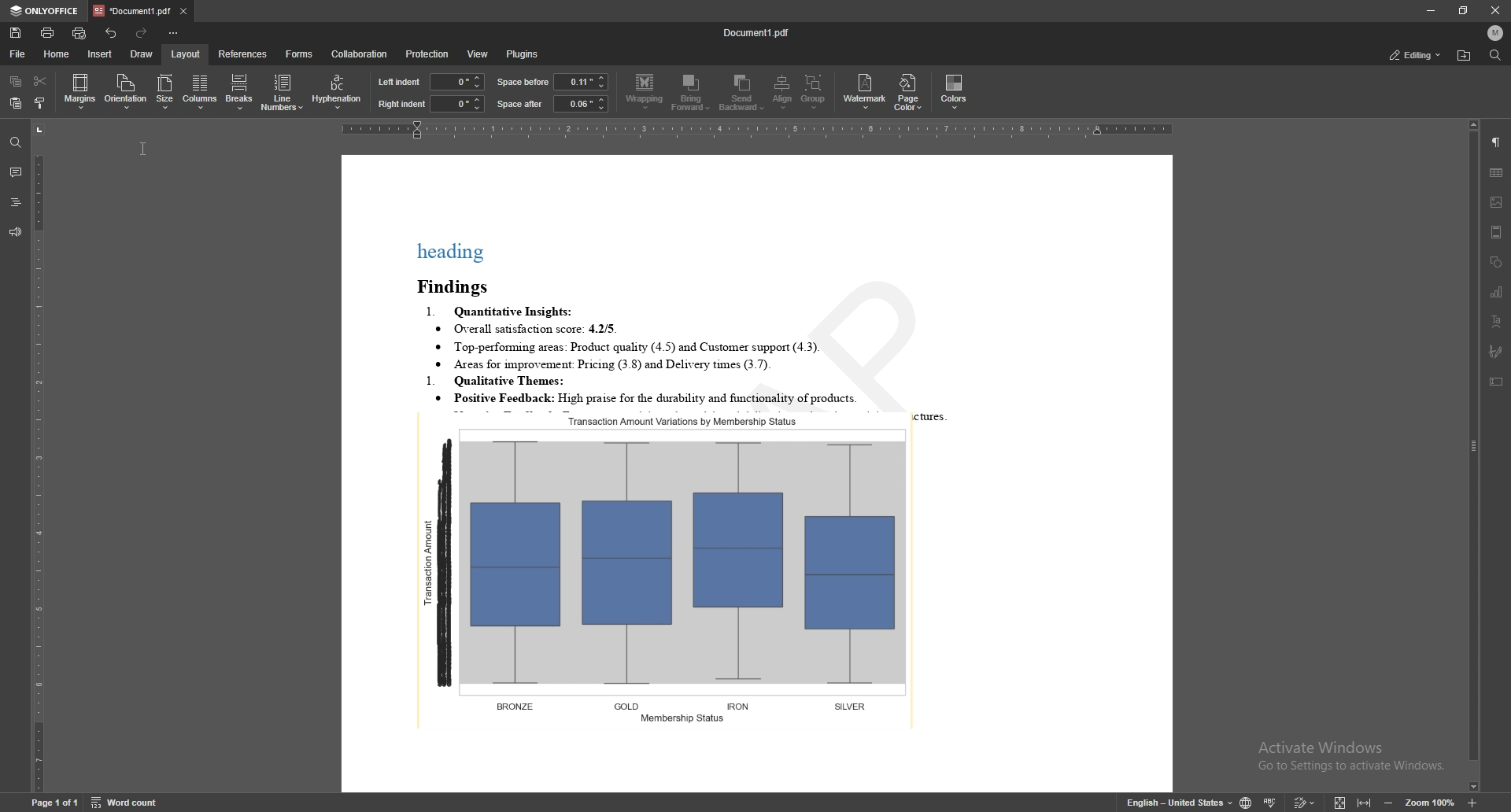  I want to click on undo, so click(113, 33).